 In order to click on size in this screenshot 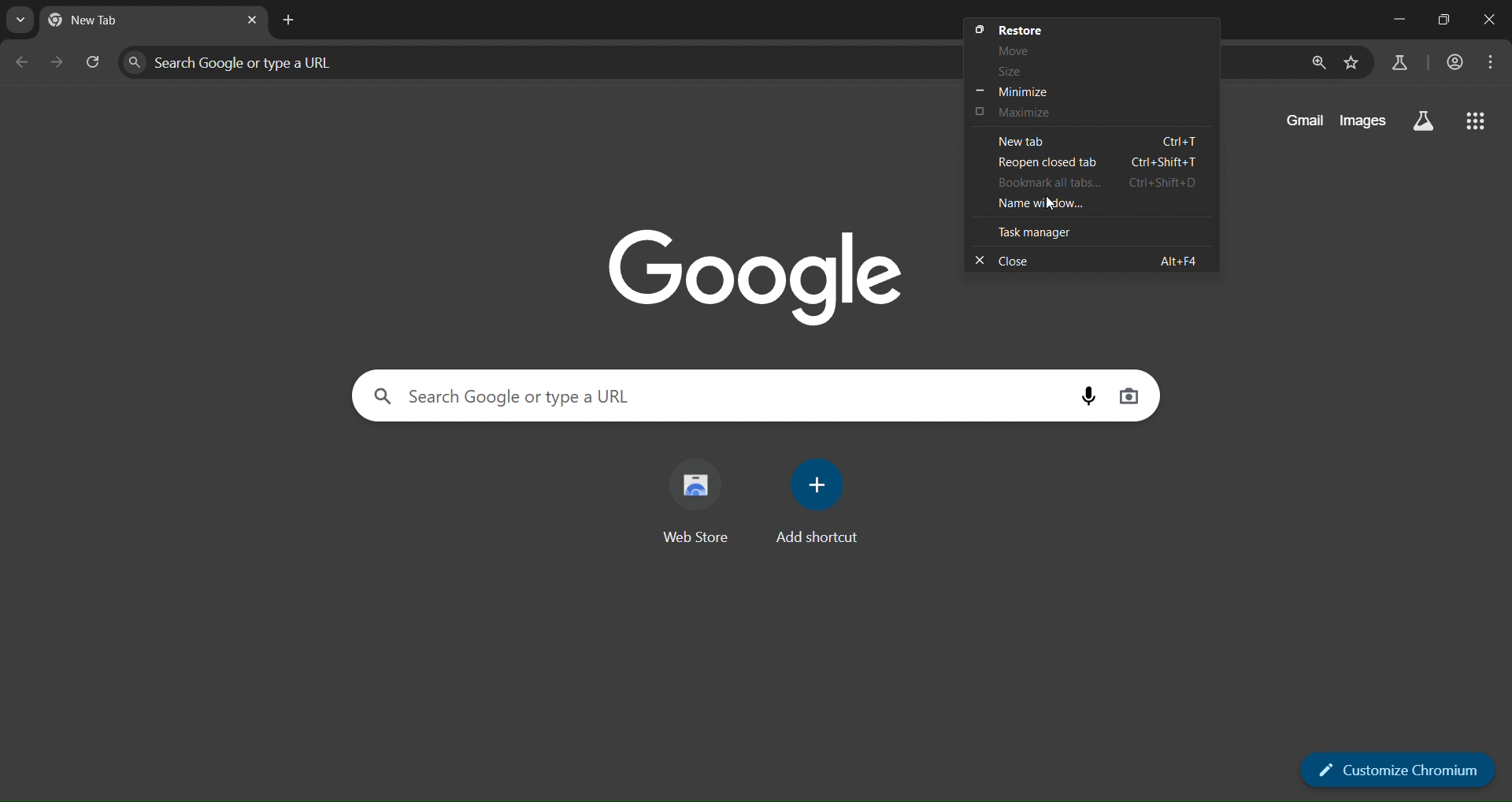, I will do `click(1012, 72)`.